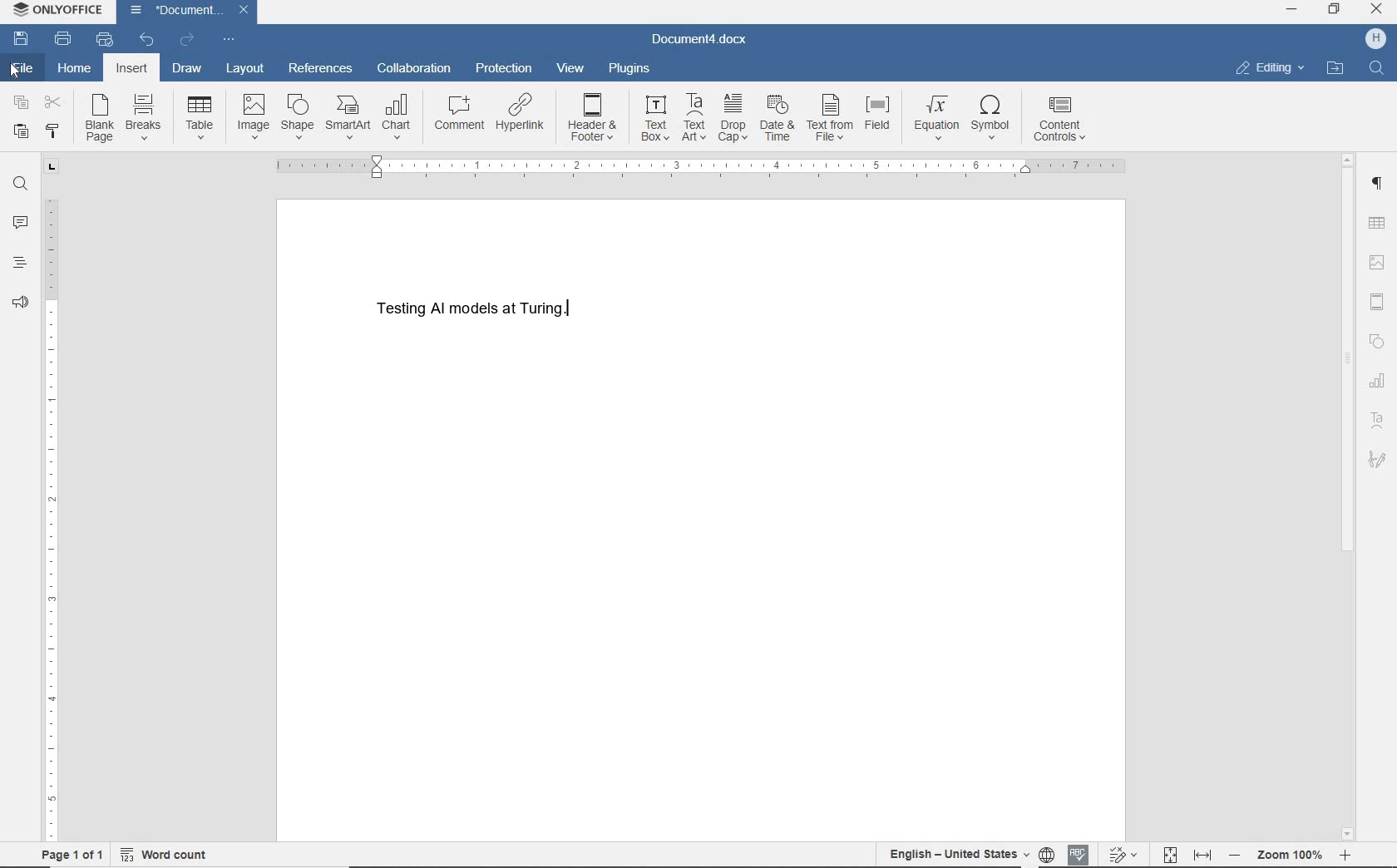 The width and height of the screenshot is (1397, 868). Describe the element at coordinates (1380, 460) in the screenshot. I see `signature` at that location.